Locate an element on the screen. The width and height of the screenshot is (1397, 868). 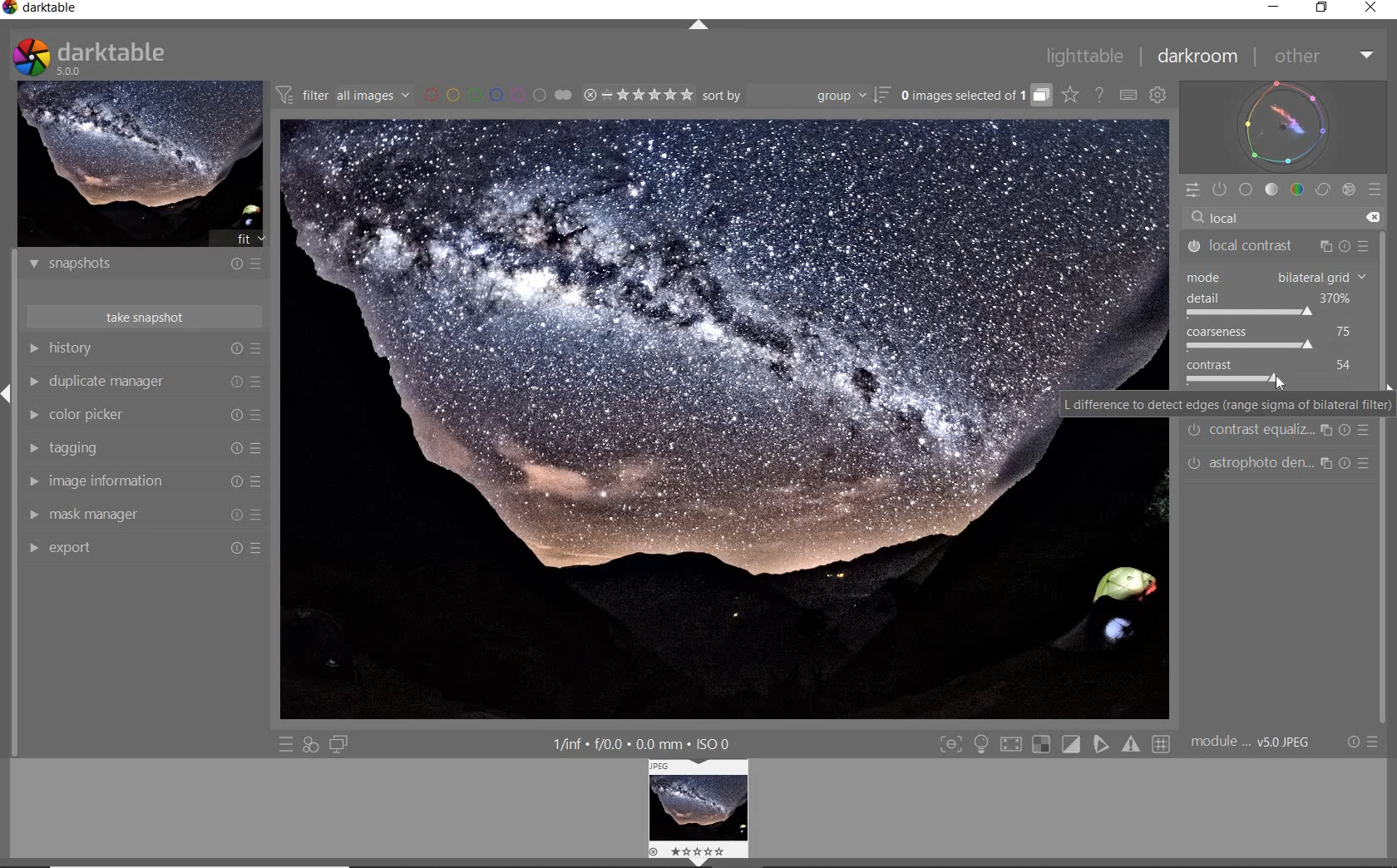
Image Preview is located at coordinates (669, 420).